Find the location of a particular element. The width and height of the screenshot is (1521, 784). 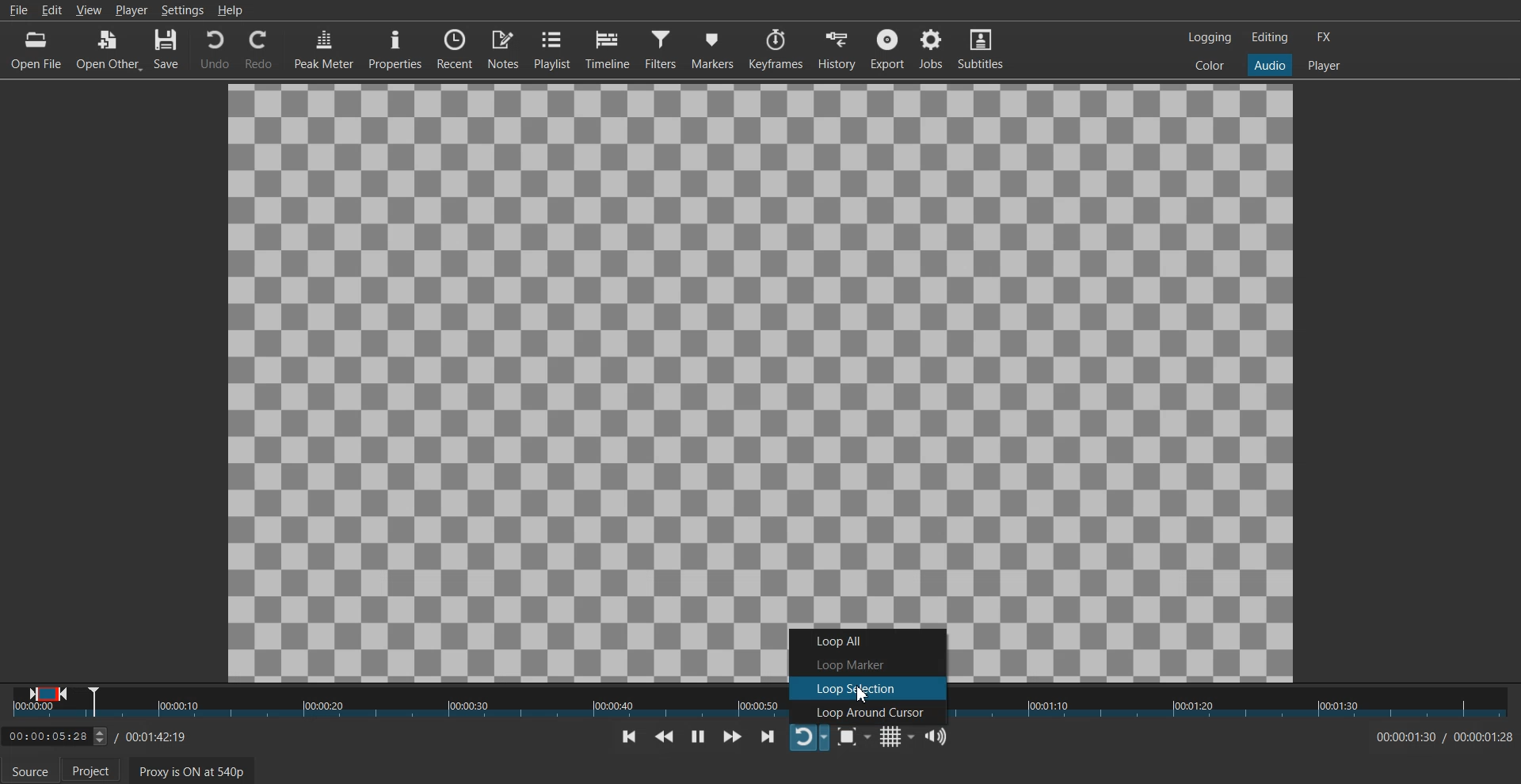

Show the volume control is located at coordinates (937, 736).